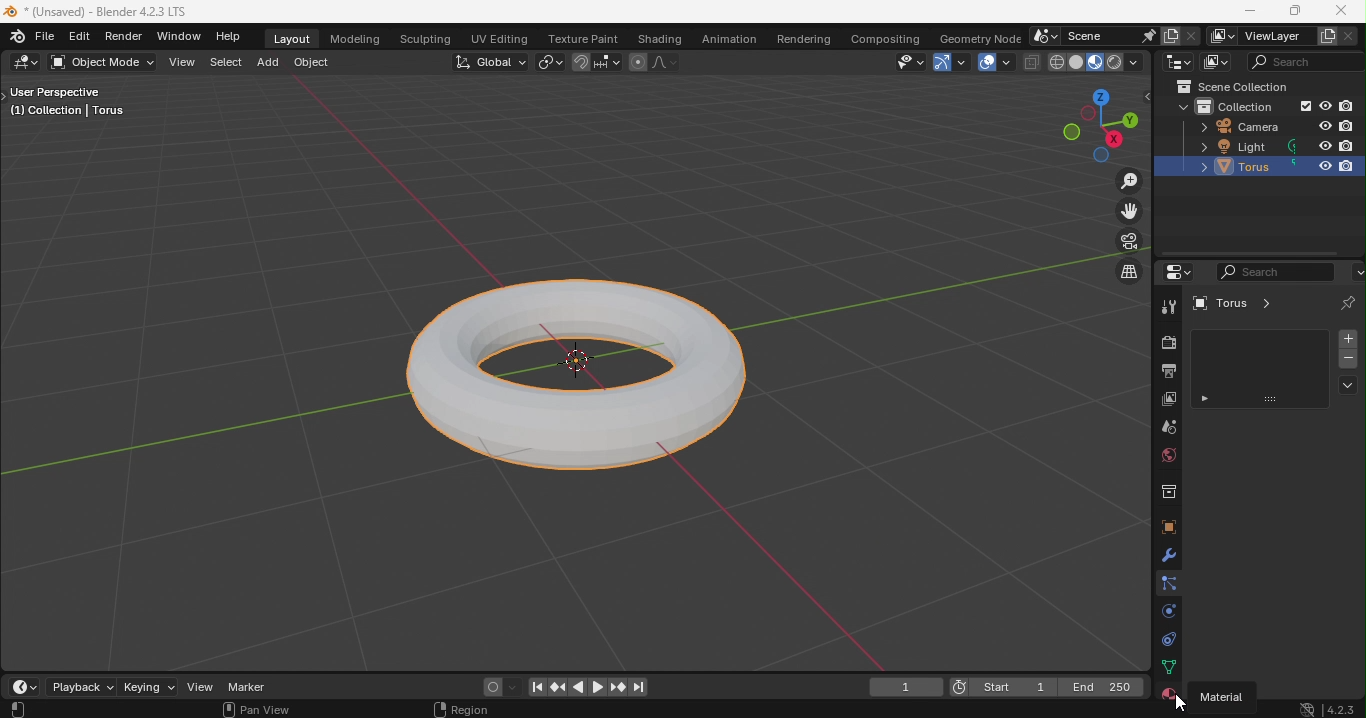 The height and width of the screenshot is (718, 1366). What do you see at coordinates (1056, 62) in the screenshot?
I see `Viewport shading` at bounding box center [1056, 62].